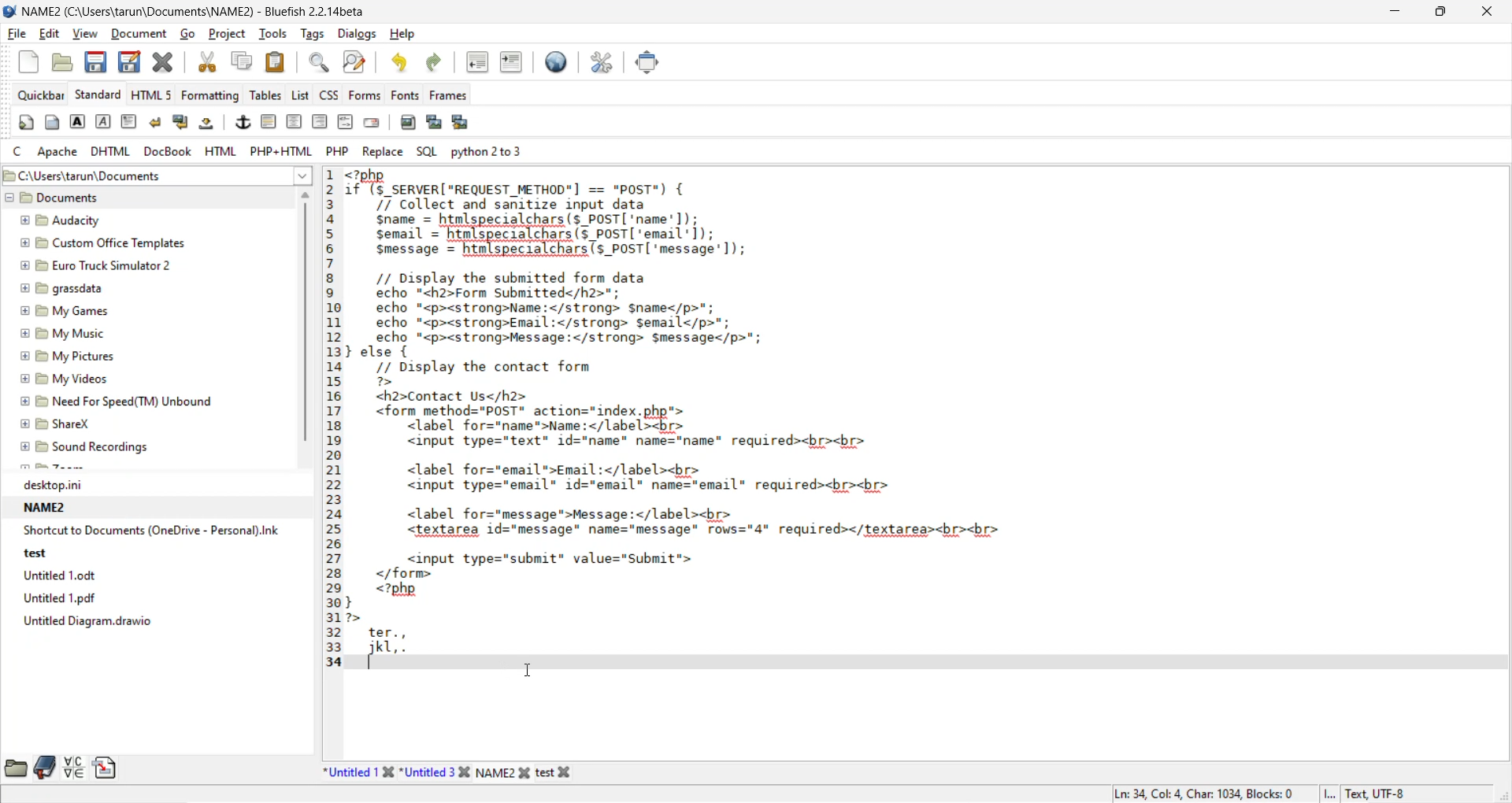  Describe the element at coordinates (1481, 12) in the screenshot. I see `close` at that location.